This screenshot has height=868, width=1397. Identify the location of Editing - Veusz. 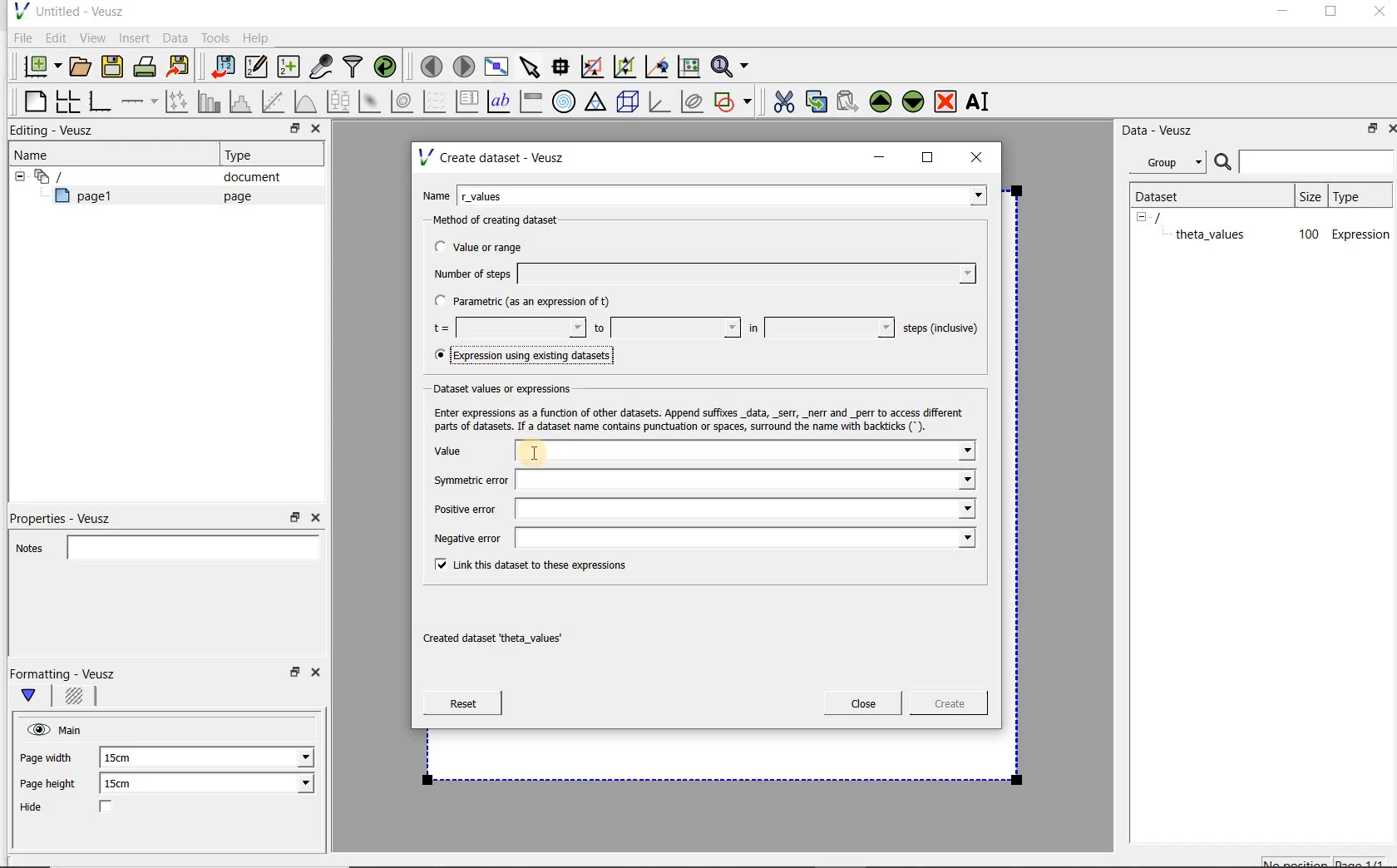
(56, 131).